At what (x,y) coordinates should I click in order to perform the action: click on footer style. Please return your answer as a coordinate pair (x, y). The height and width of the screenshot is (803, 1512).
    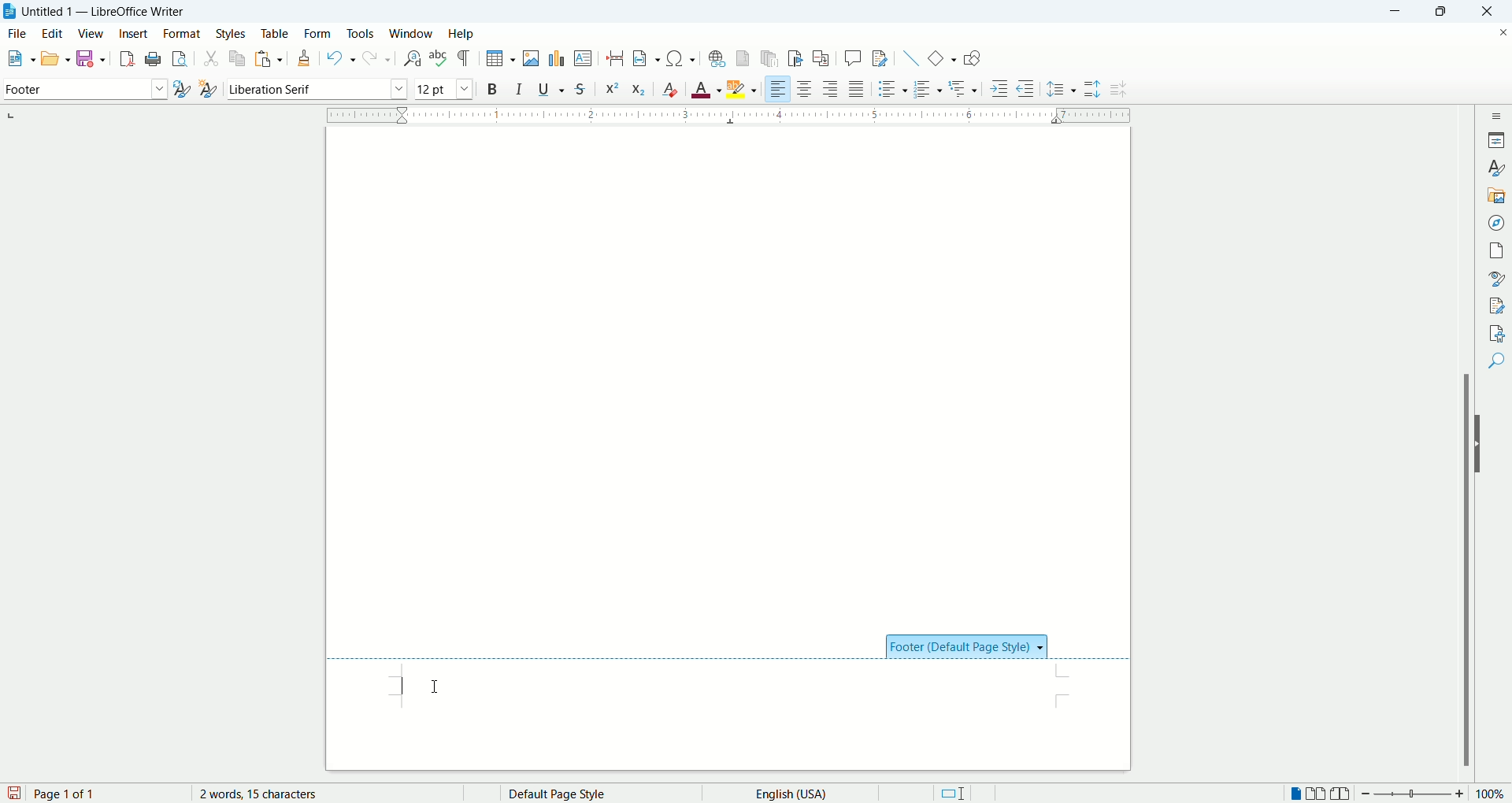
    Looking at the image, I should click on (967, 646).